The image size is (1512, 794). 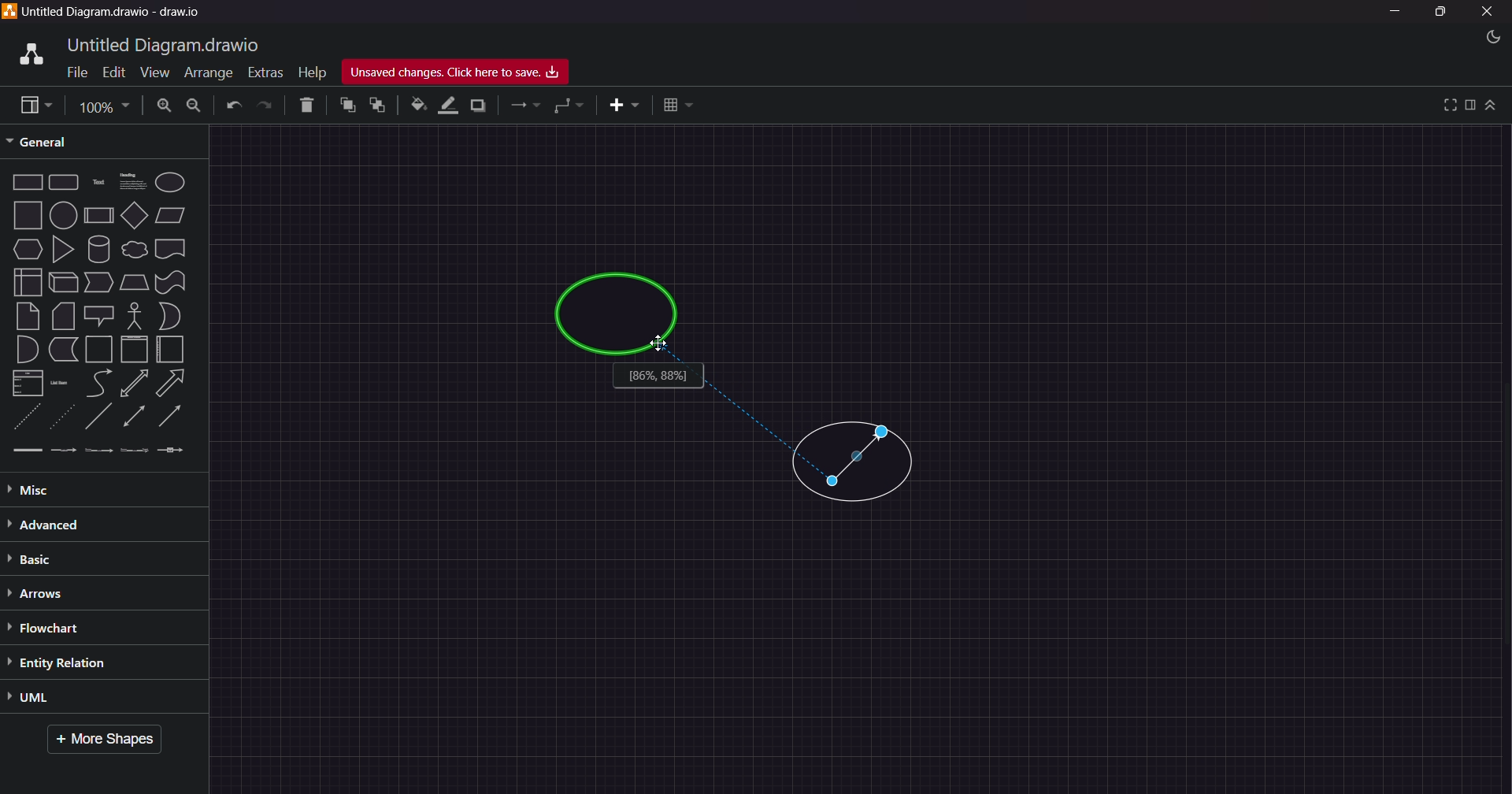 What do you see at coordinates (859, 458) in the screenshot?
I see ` Connector` at bounding box center [859, 458].